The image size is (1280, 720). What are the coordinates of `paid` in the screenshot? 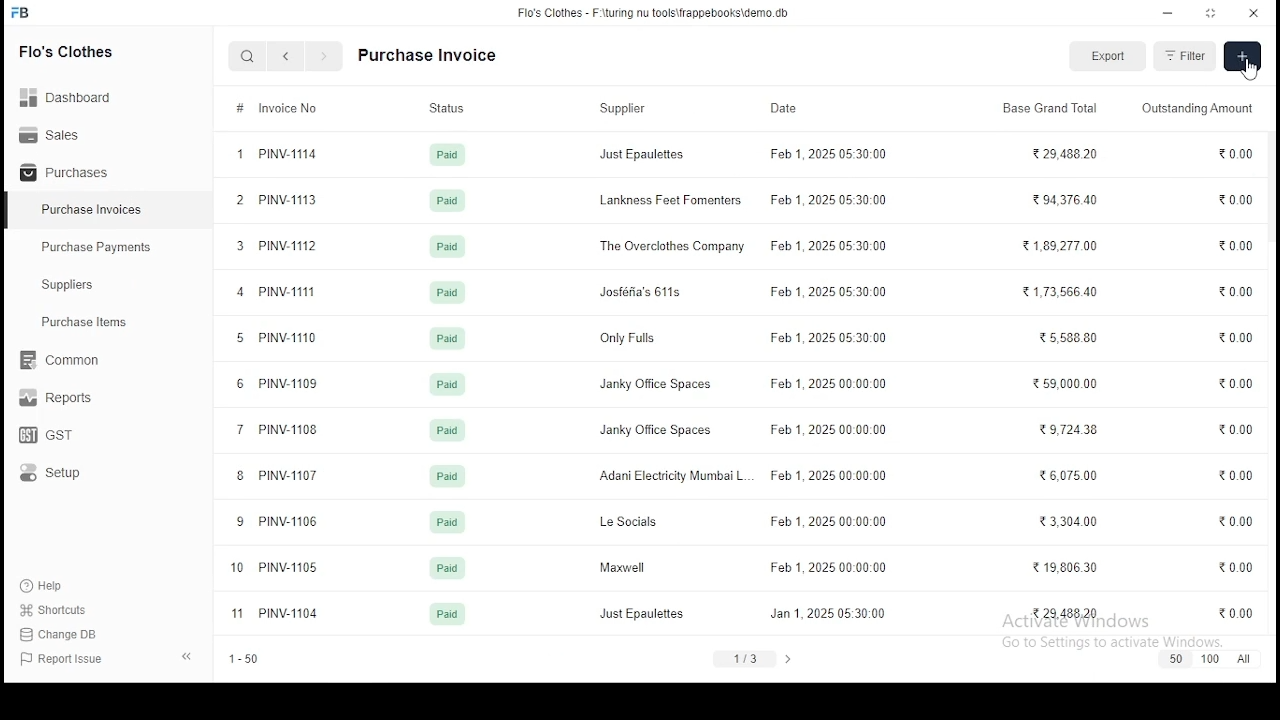 It's located at (447, 524).